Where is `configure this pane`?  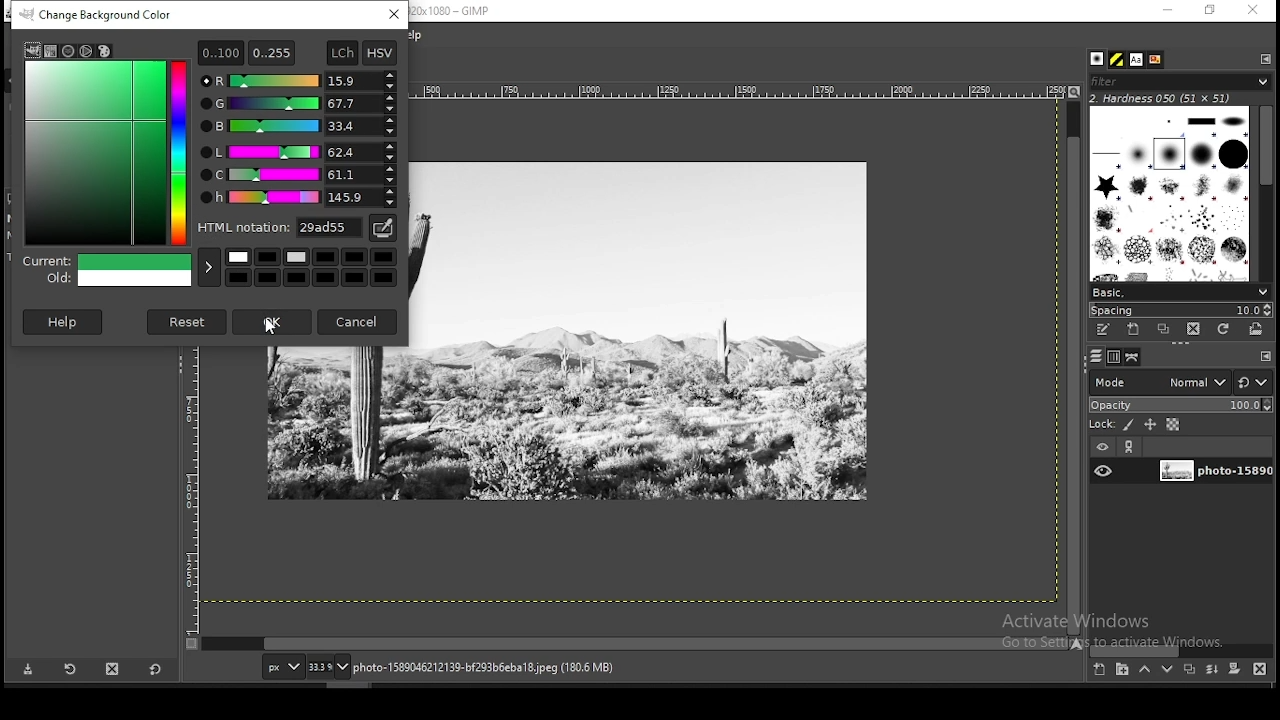
configure this pane is located at coordinates (1264, 356).